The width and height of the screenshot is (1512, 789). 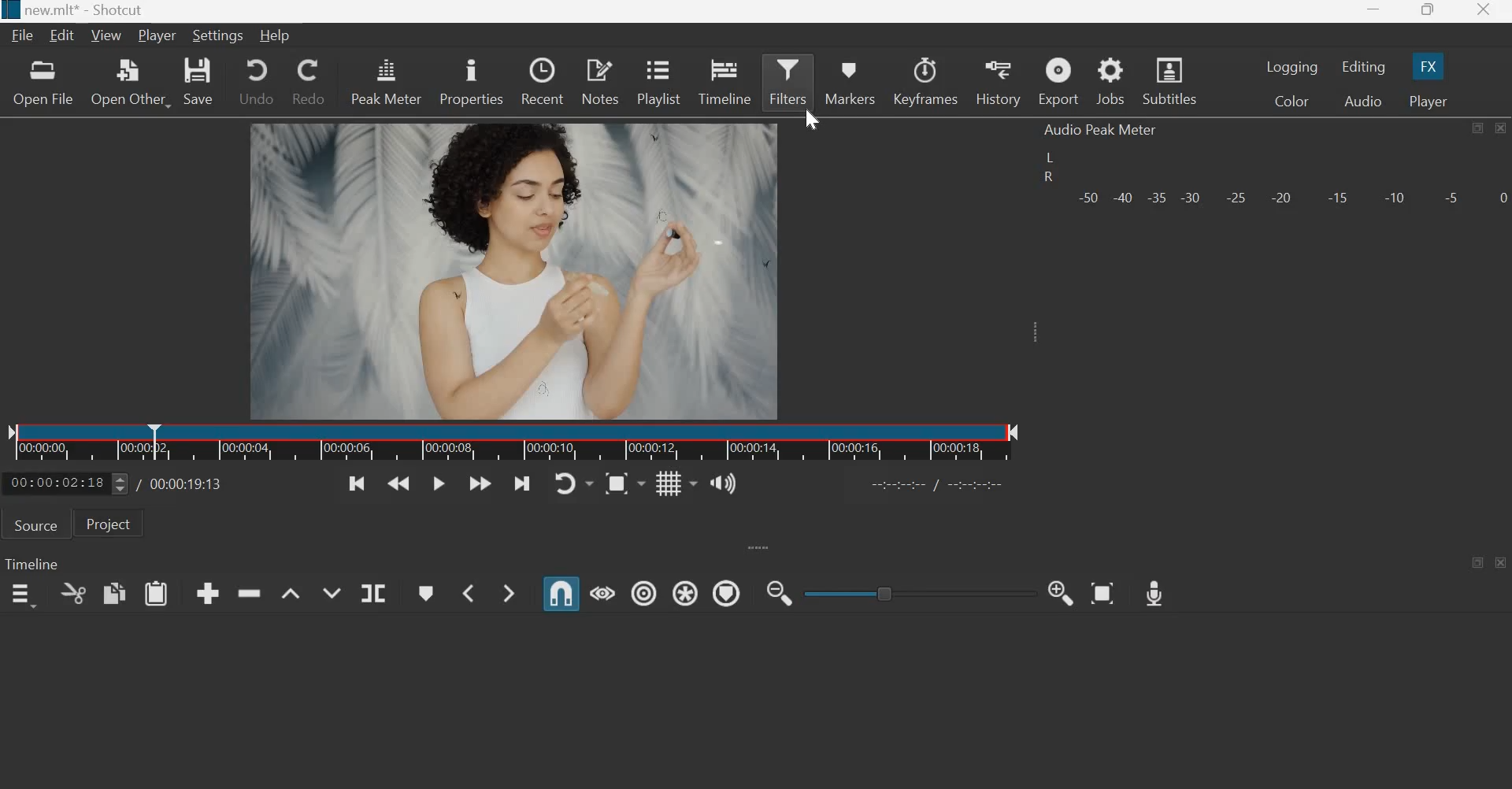 What do you see at coordinates (156, 593) in the screenshot?
I see `paste` at bounding box center [156, 593].